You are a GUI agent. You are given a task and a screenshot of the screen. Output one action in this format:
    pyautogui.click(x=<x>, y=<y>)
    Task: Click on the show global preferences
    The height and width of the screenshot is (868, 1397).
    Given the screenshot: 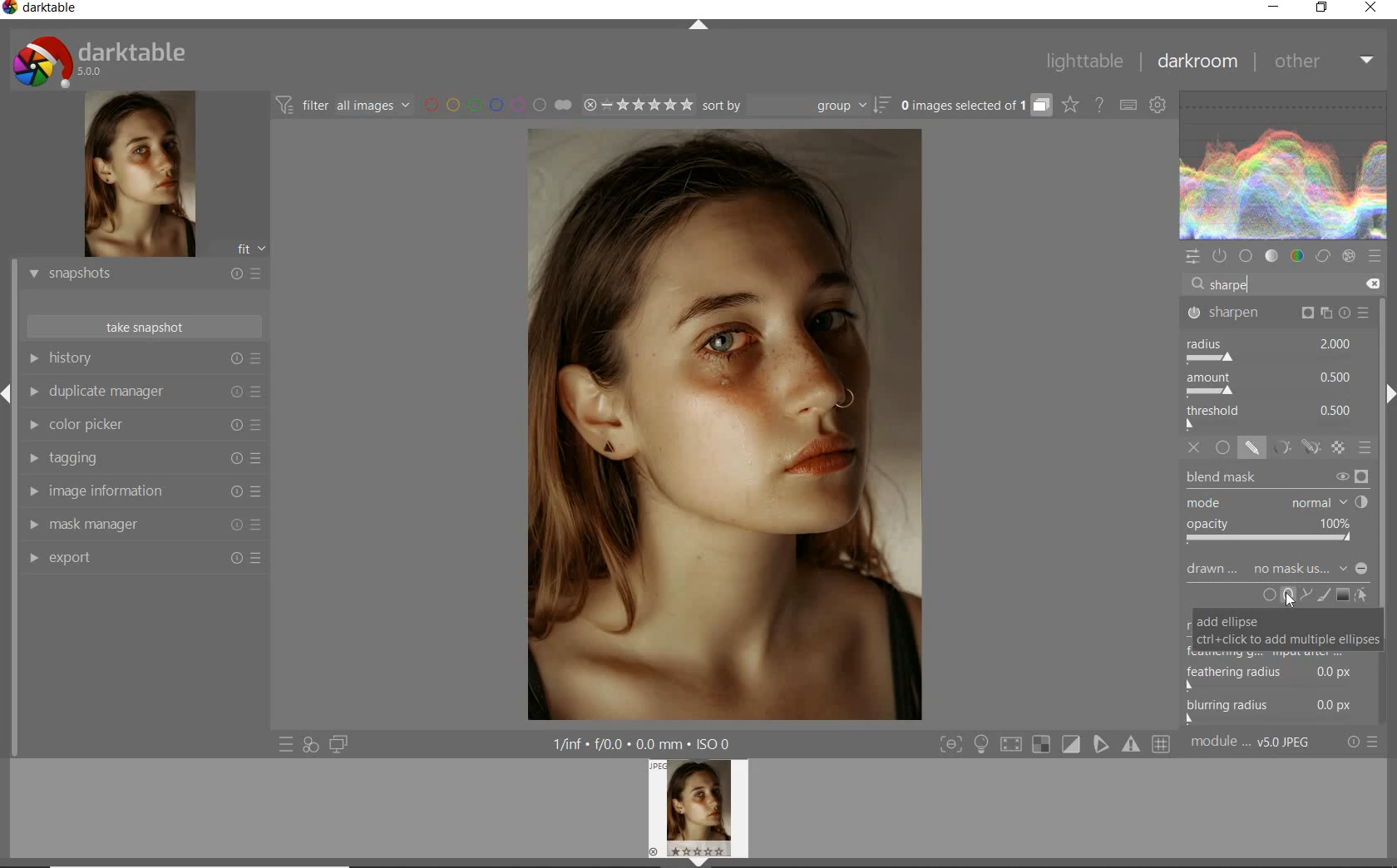 What is the action you would take?
    pyautogui.click(x=1159, y=106)
    